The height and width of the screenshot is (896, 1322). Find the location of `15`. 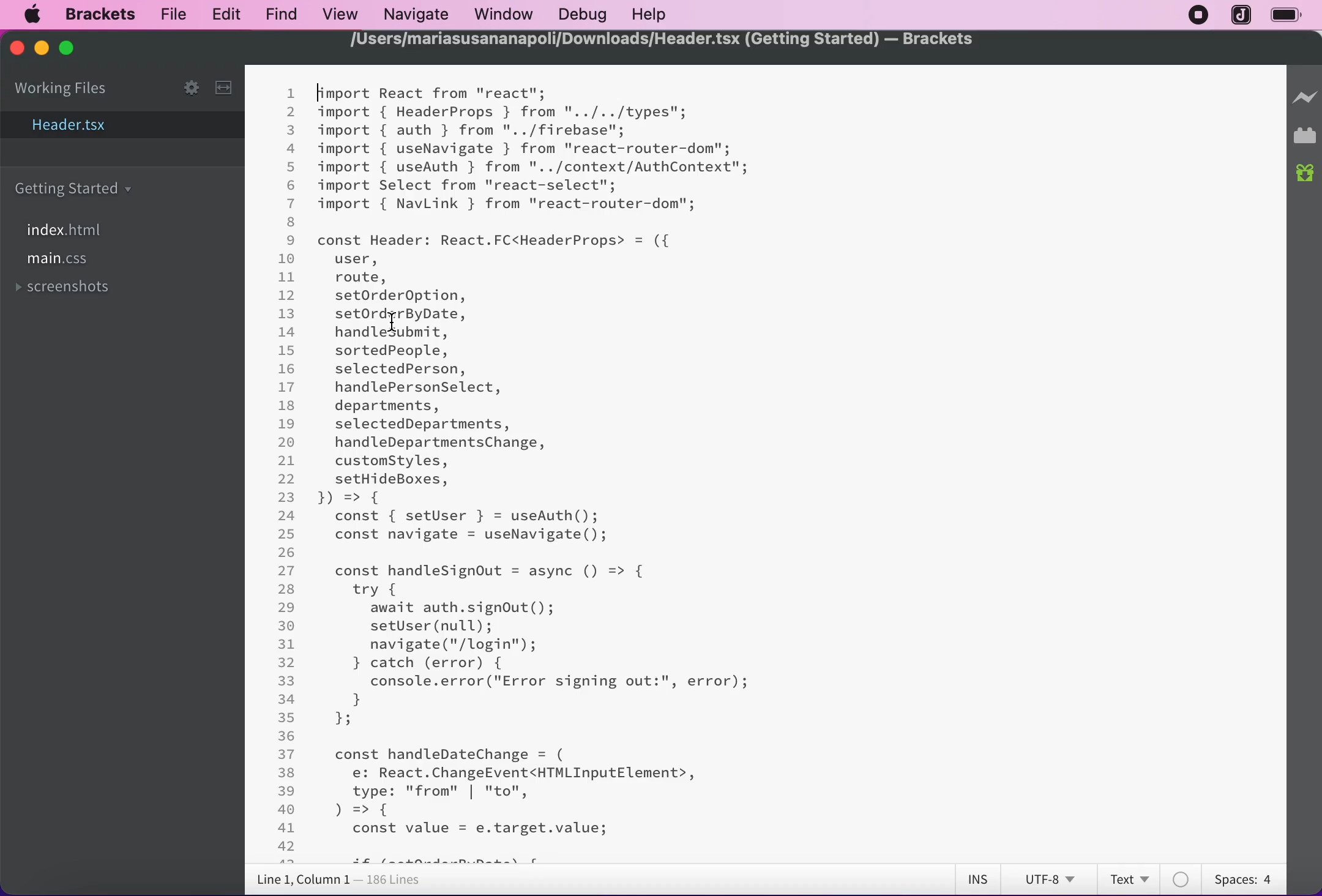

15 is located at coordinates (287, 350).